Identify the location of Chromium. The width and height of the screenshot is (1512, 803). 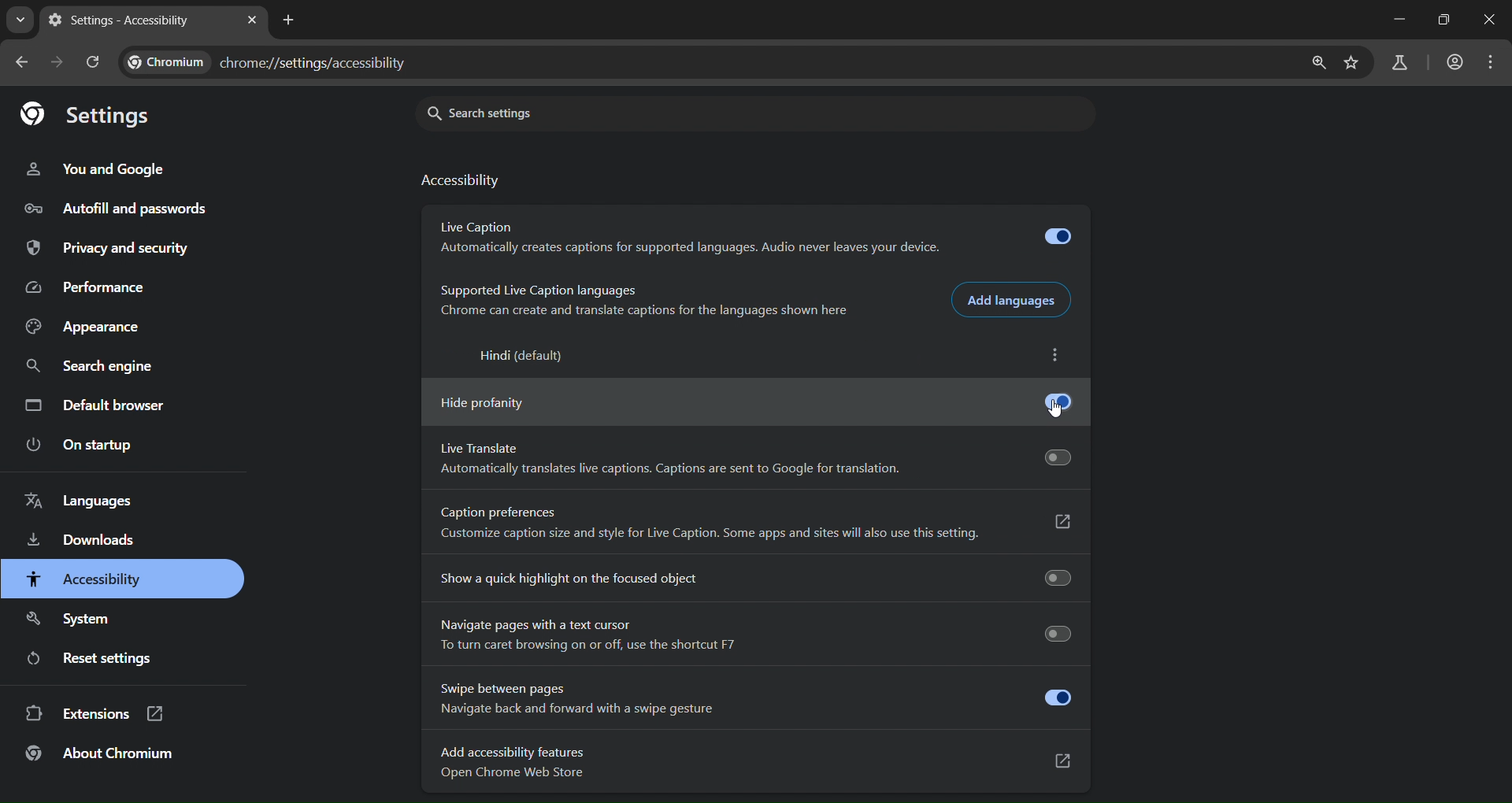
(167, 62).